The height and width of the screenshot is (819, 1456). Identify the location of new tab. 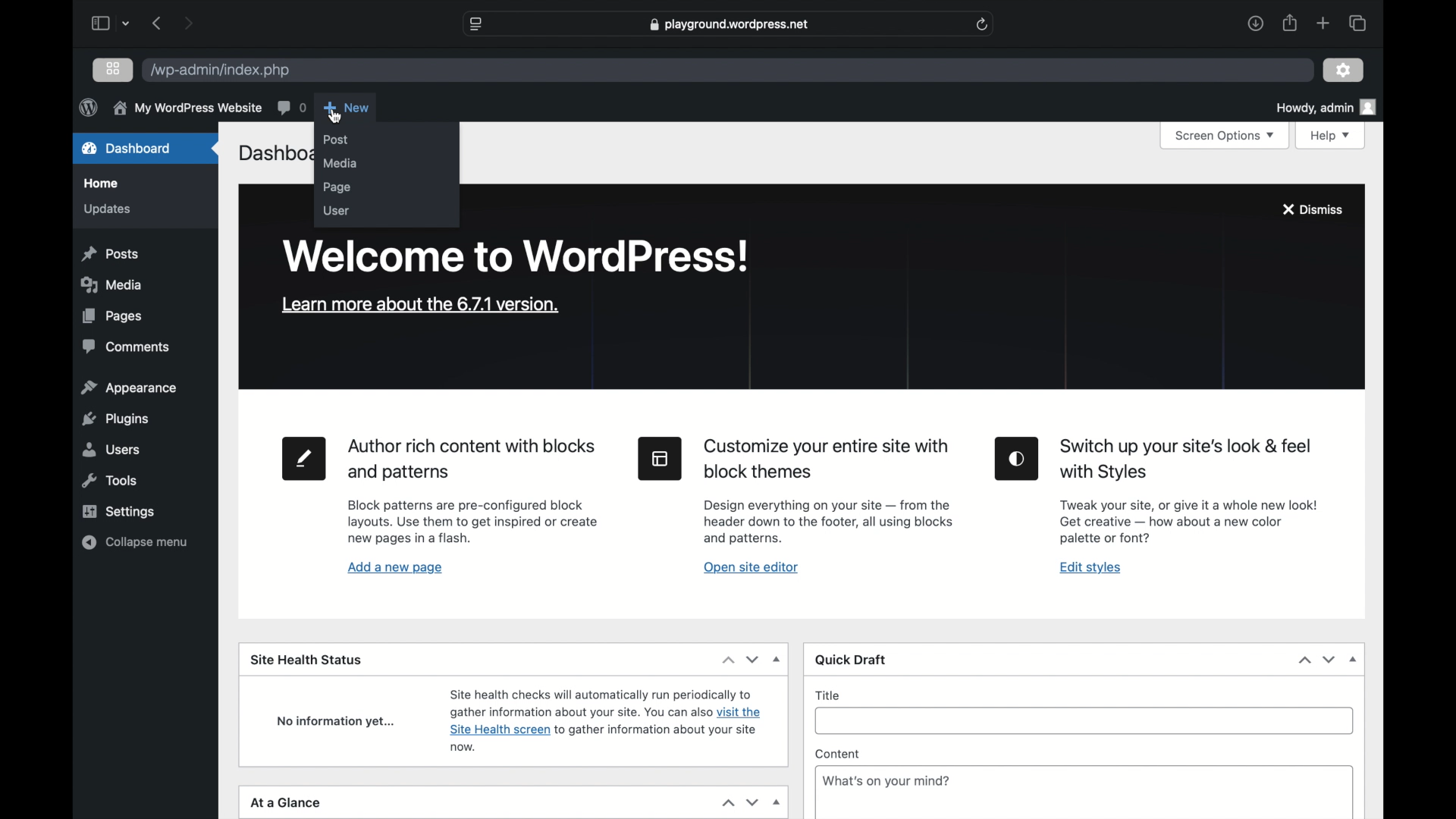
(1323, 24).